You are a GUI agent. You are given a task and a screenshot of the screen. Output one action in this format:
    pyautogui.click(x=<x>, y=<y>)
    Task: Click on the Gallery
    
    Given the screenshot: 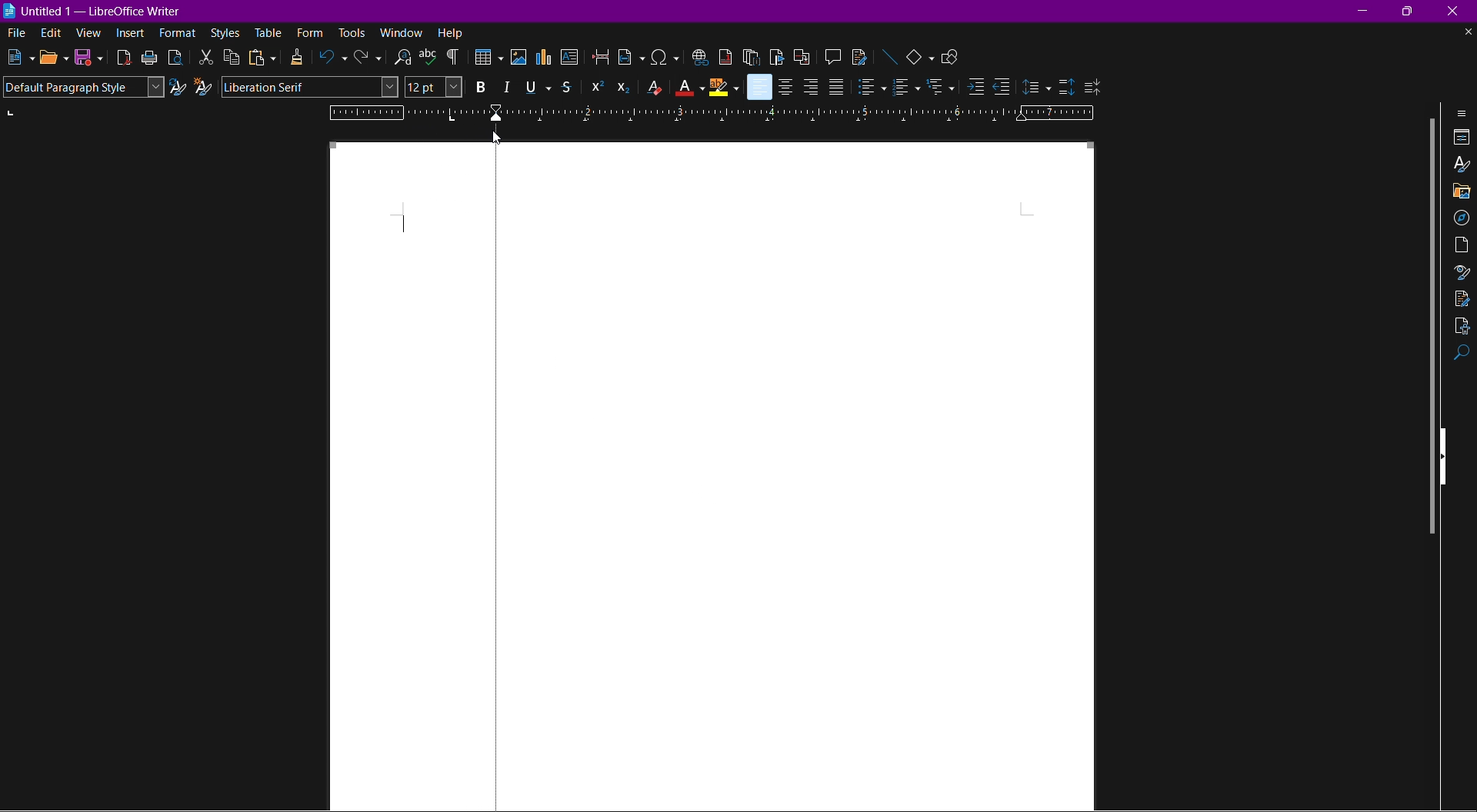 What is the action you would take?
    pyautogui.click(x=1462, y=191)
    